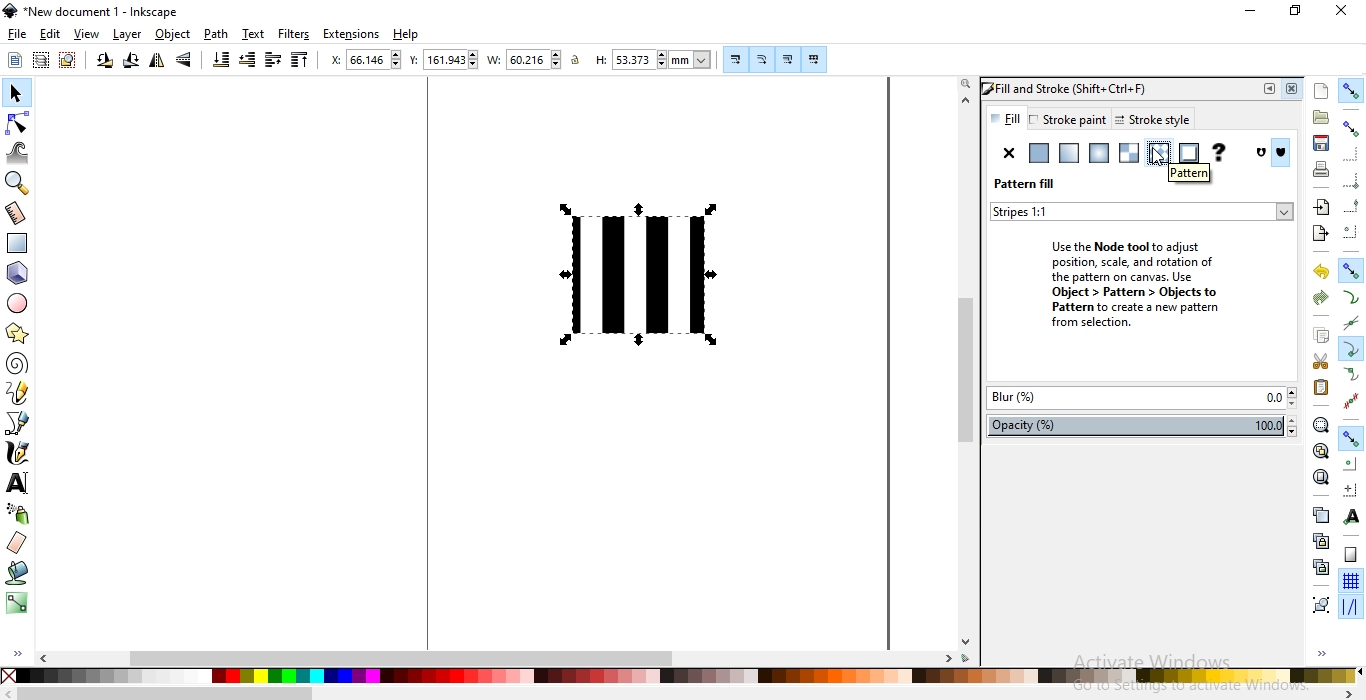  What do you see at coordinates (1350, 464) in the screenshot?
I see `snap centers to objects` at bounding box center [1350, 464].